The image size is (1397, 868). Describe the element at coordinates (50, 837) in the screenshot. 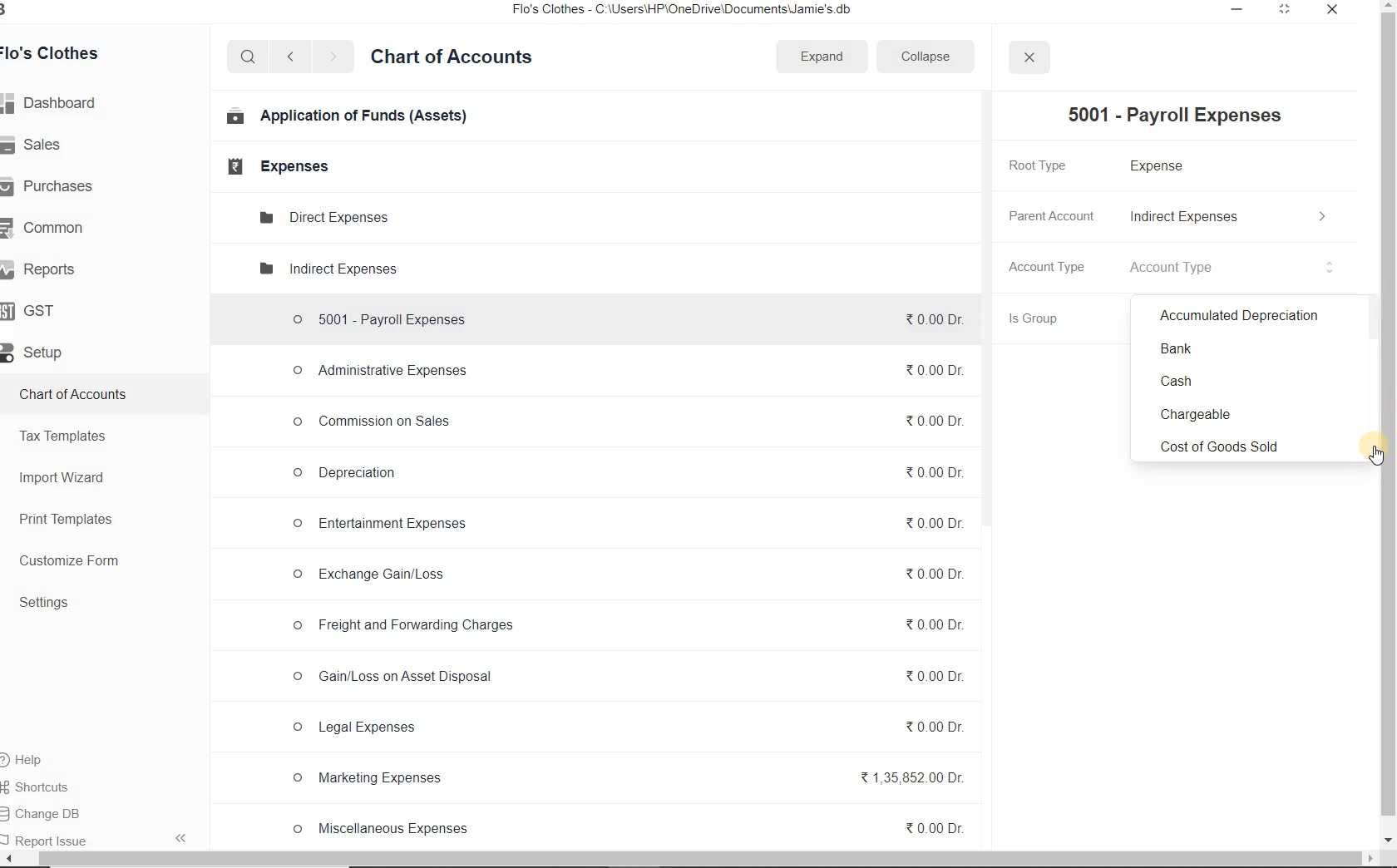

I see `Report Issue` at that location.